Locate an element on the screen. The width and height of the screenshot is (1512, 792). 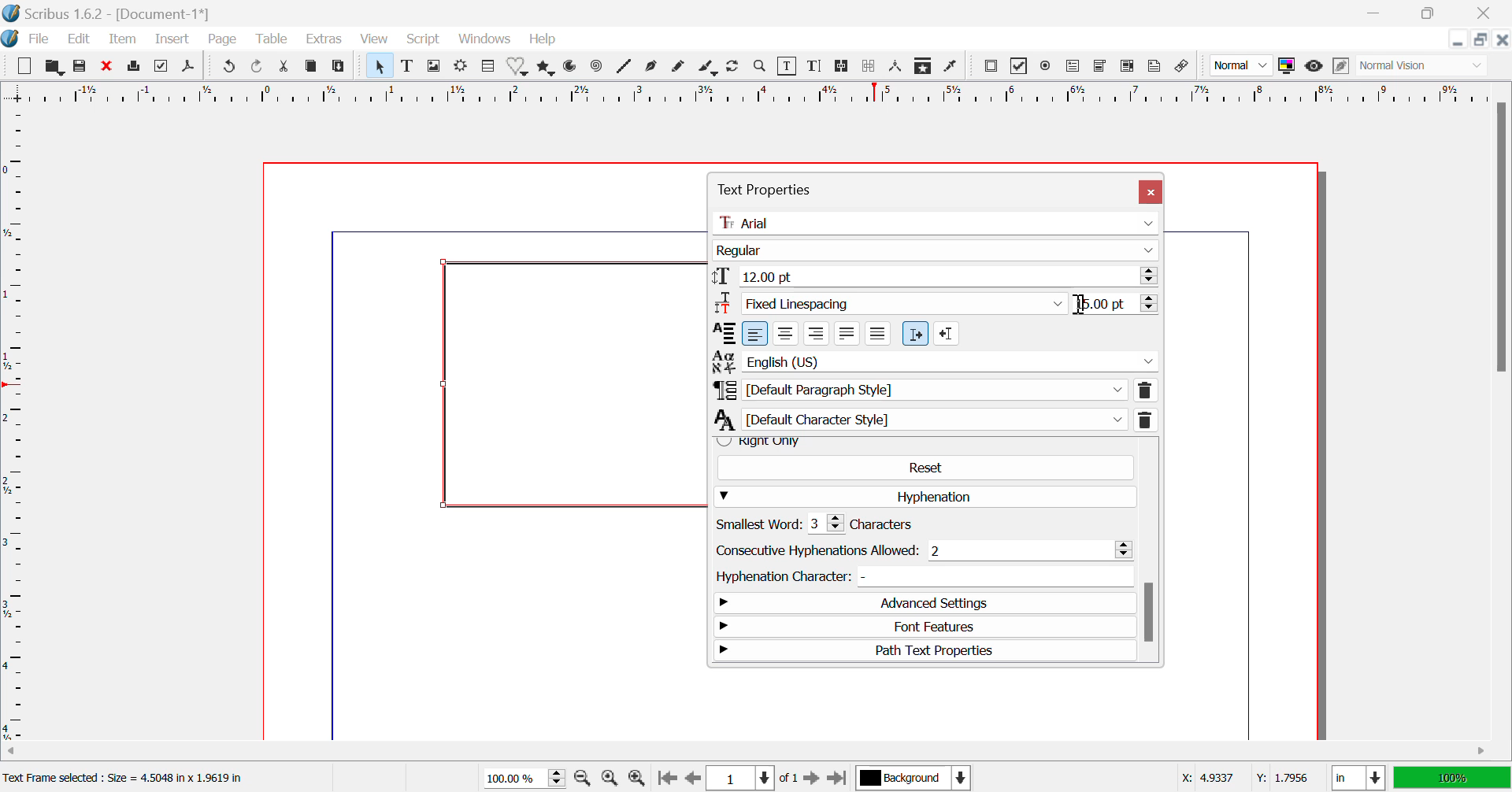
Zoom Out is located at coordinates (584, 779).